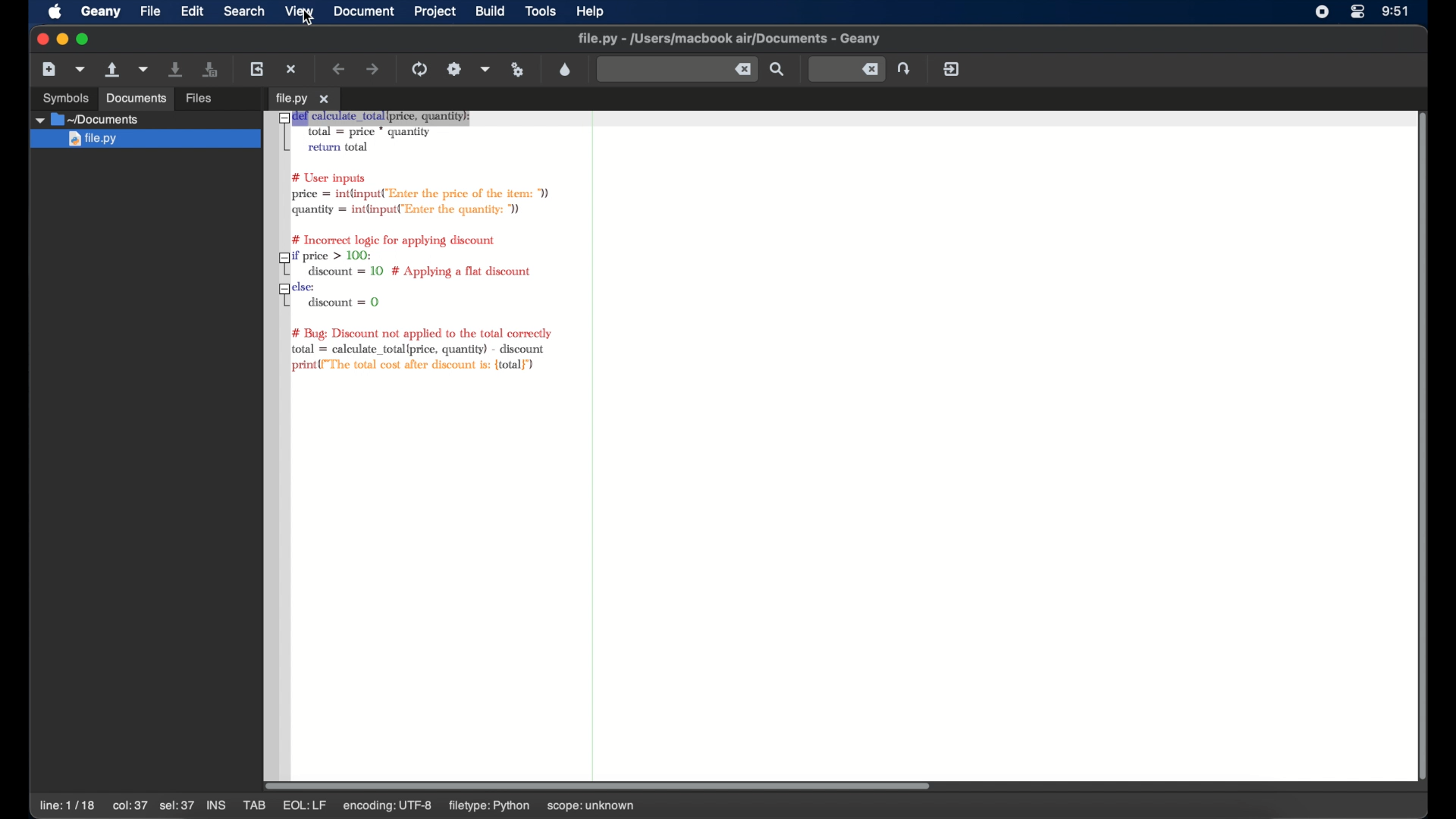 The image size is (1456, 819). Describe the element at coordinates (600, 786) in the screenshot. I see `scroll box` at that location.